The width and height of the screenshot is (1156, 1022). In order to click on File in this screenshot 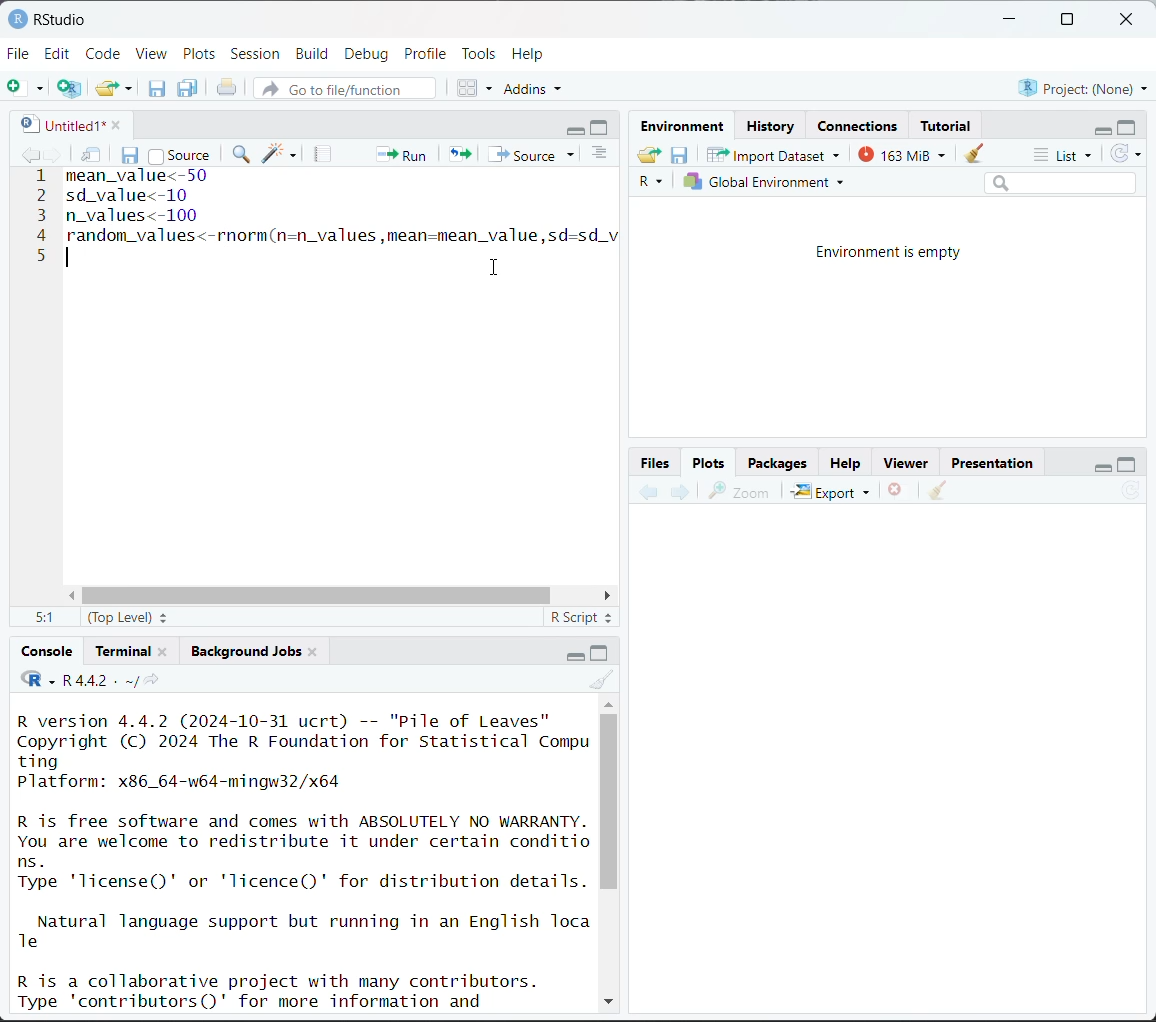, I will do `click(19, 53)`.